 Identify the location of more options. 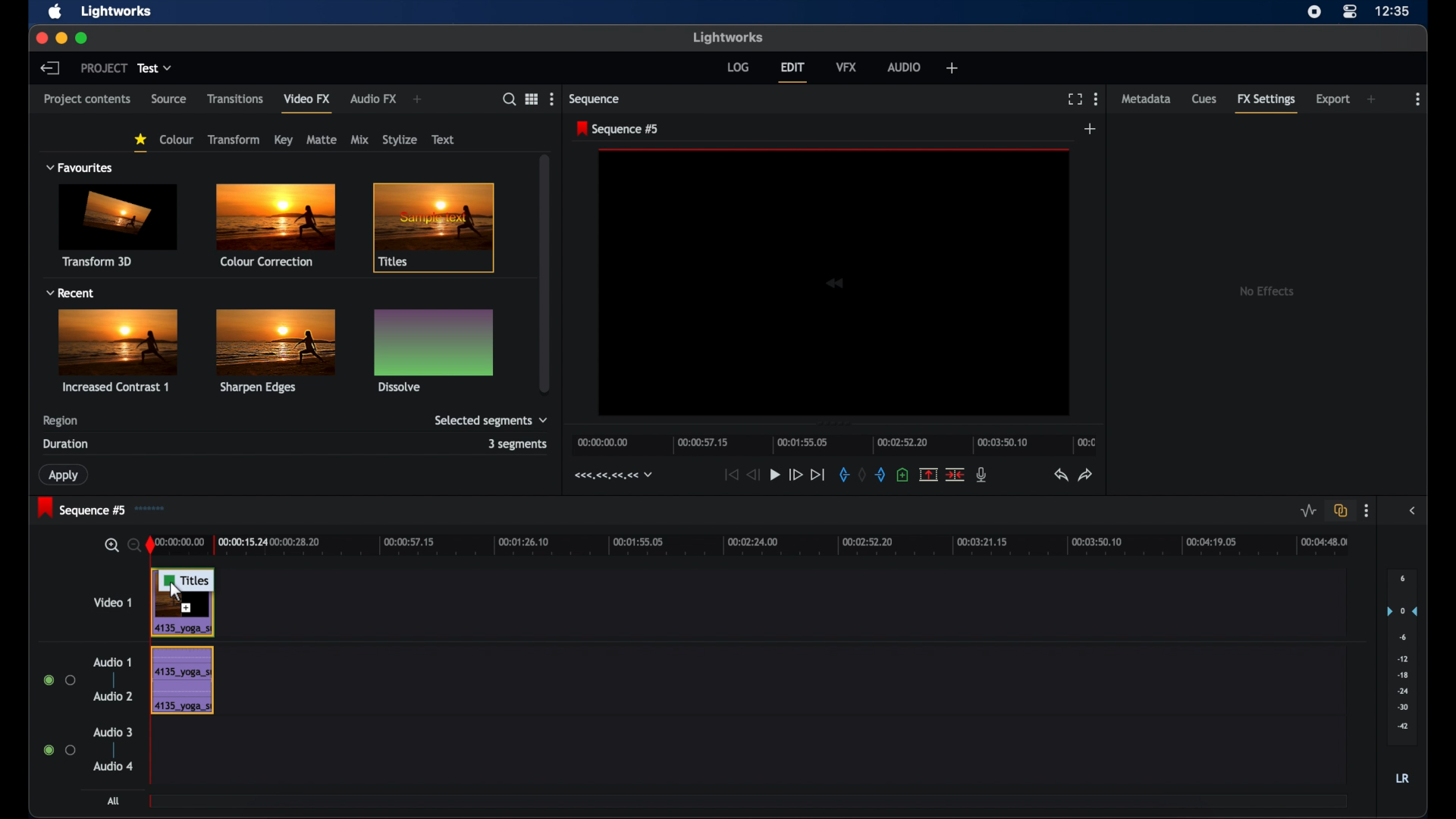
(1366, 511).